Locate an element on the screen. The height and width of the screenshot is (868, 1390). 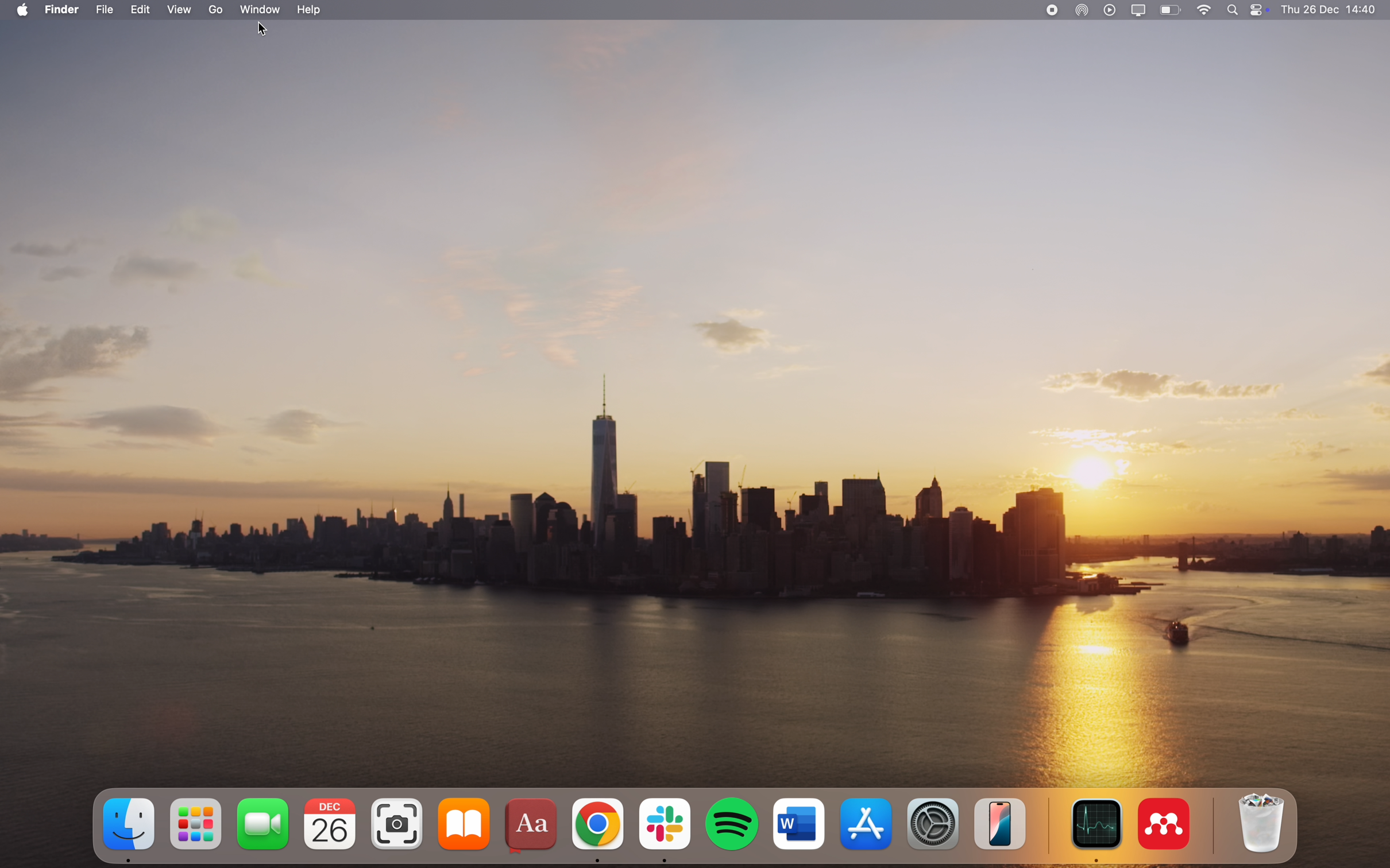
stop recording is located at coordinates (1049, 10).